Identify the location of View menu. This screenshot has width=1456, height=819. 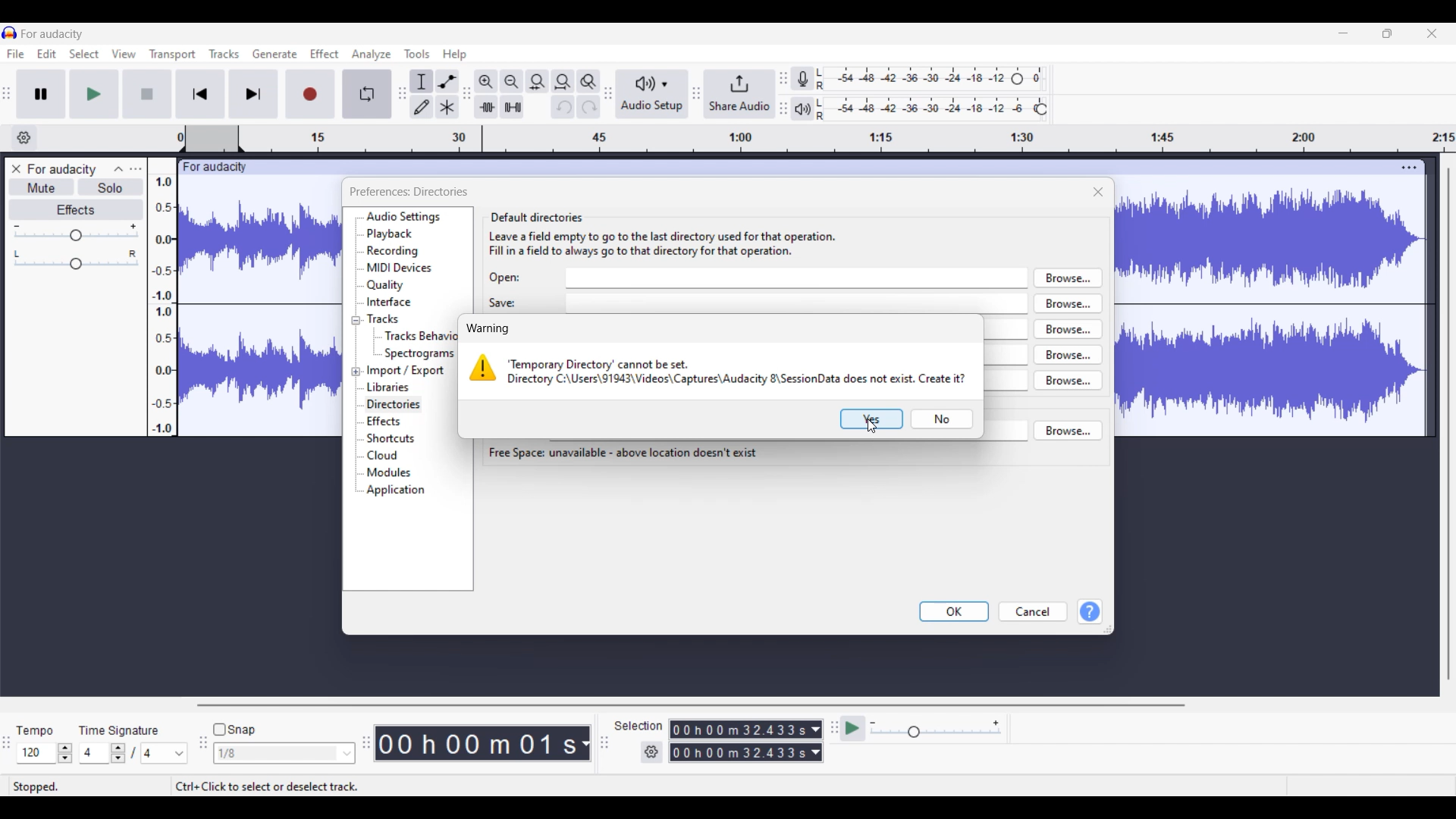
(124, 54).